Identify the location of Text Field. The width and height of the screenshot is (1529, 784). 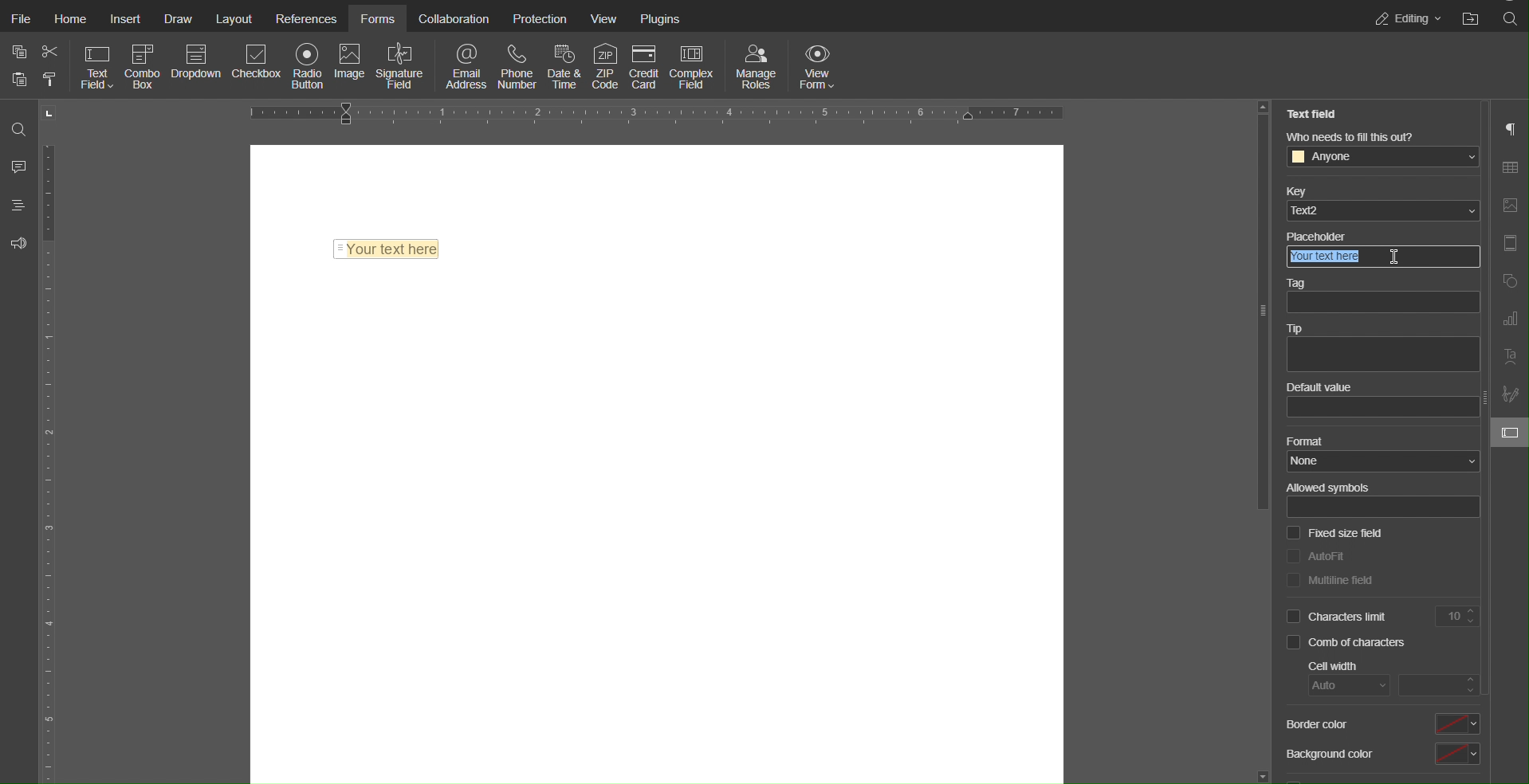
(98, 66).